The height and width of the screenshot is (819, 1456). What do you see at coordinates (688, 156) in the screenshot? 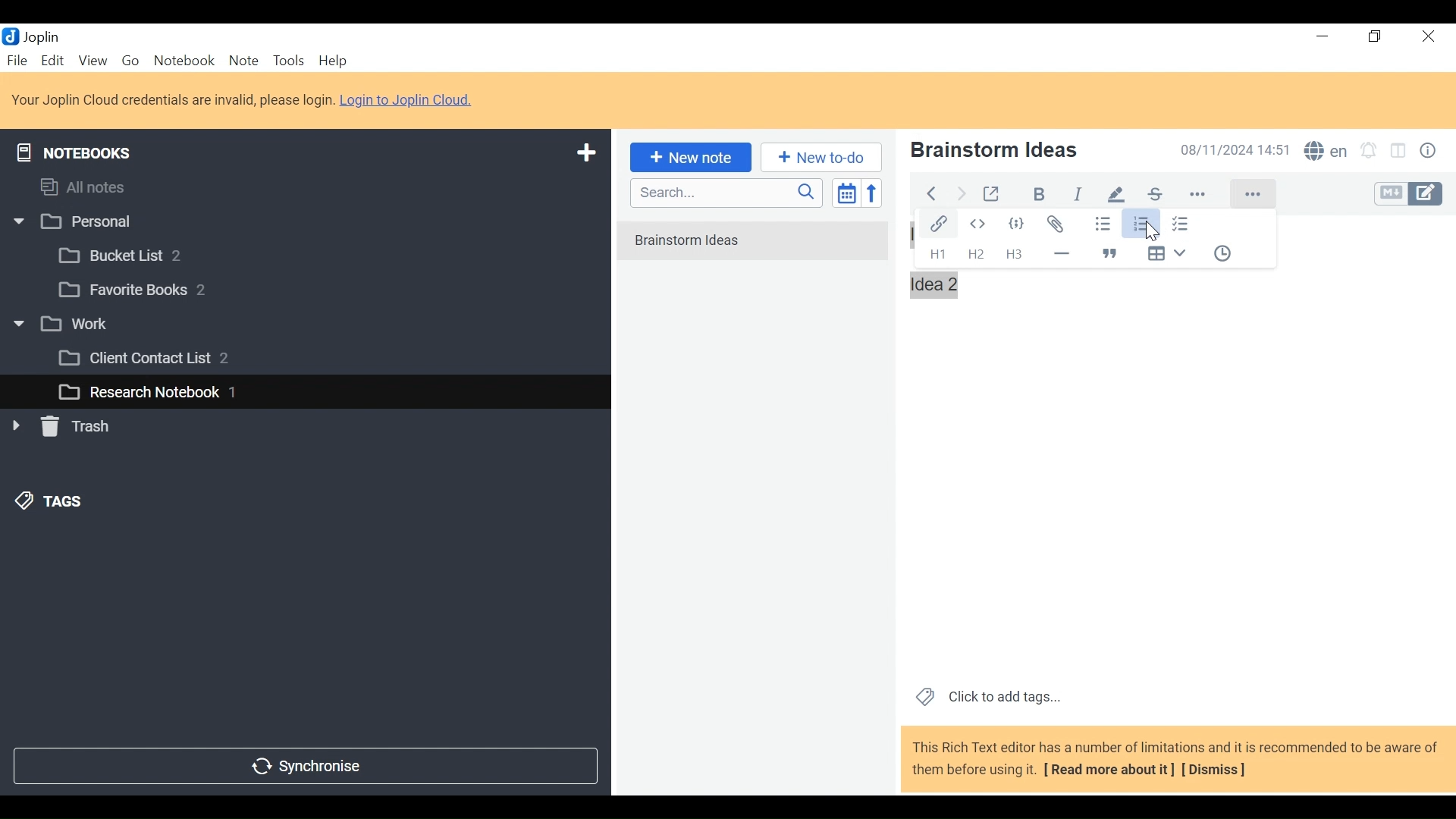
I see `New note` at bounding box center [688, 156].